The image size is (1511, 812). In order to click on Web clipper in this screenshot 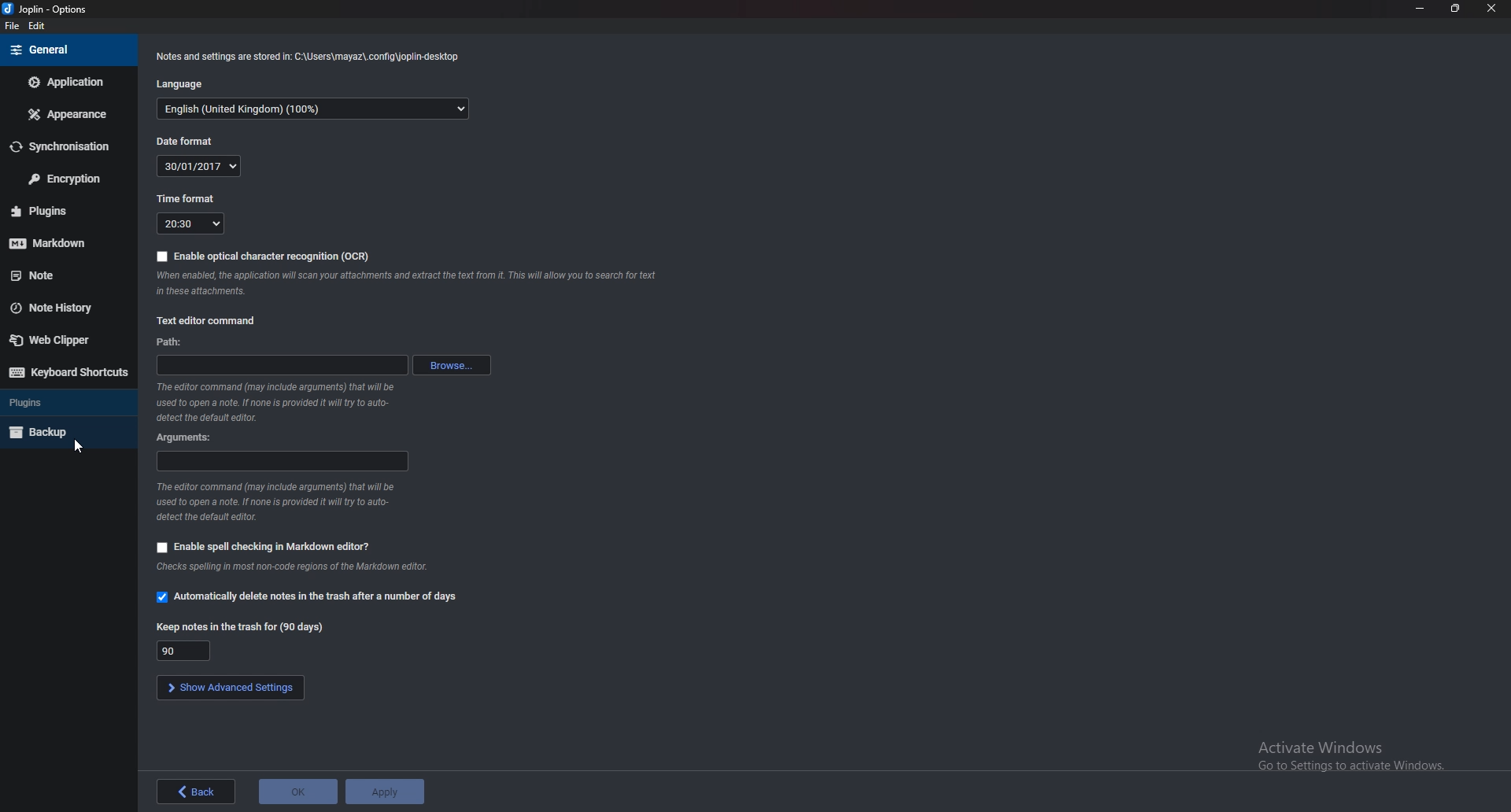, I will do `click(59, 339)`.